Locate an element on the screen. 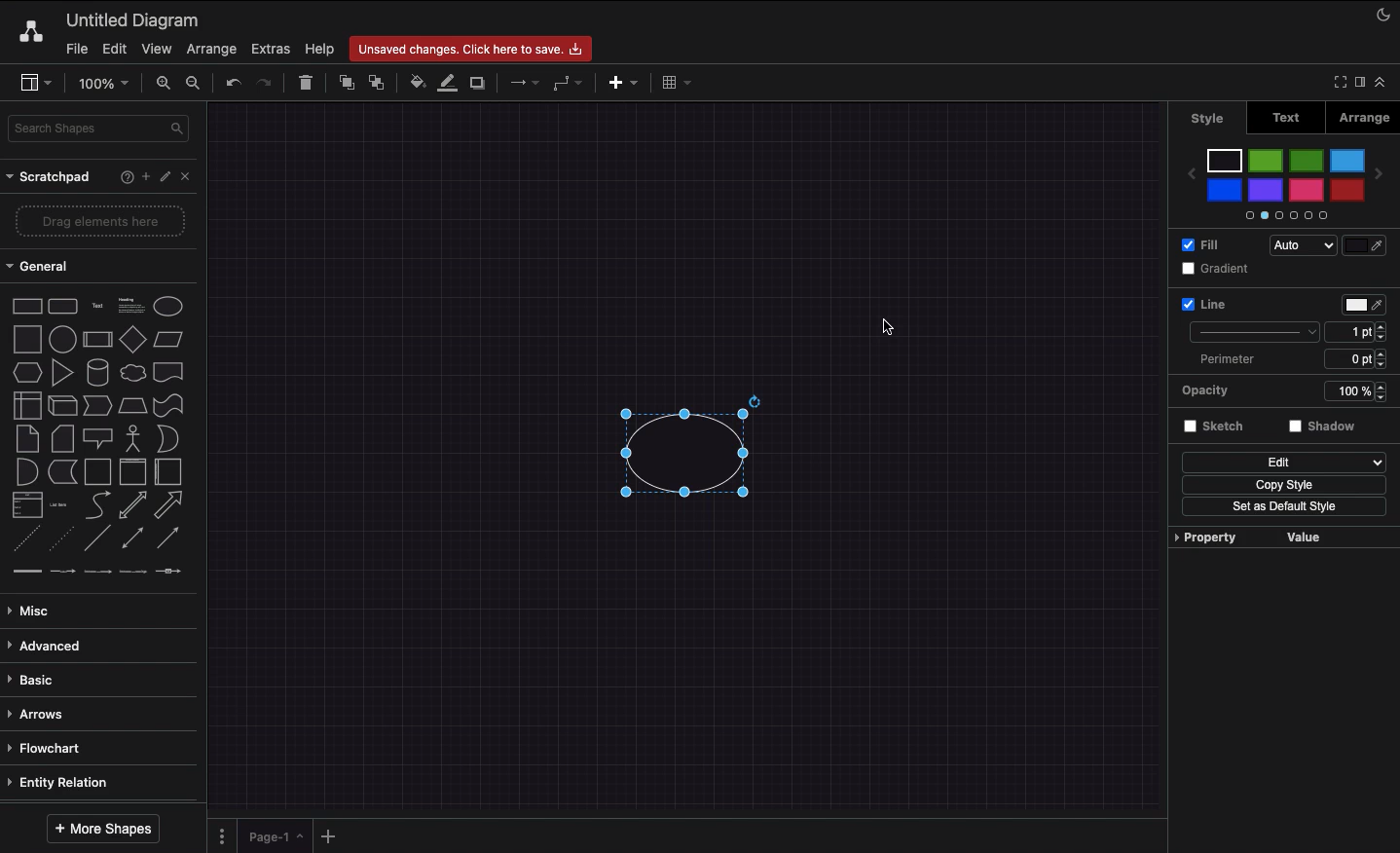  More shapes is located at coordinates (101, 829).